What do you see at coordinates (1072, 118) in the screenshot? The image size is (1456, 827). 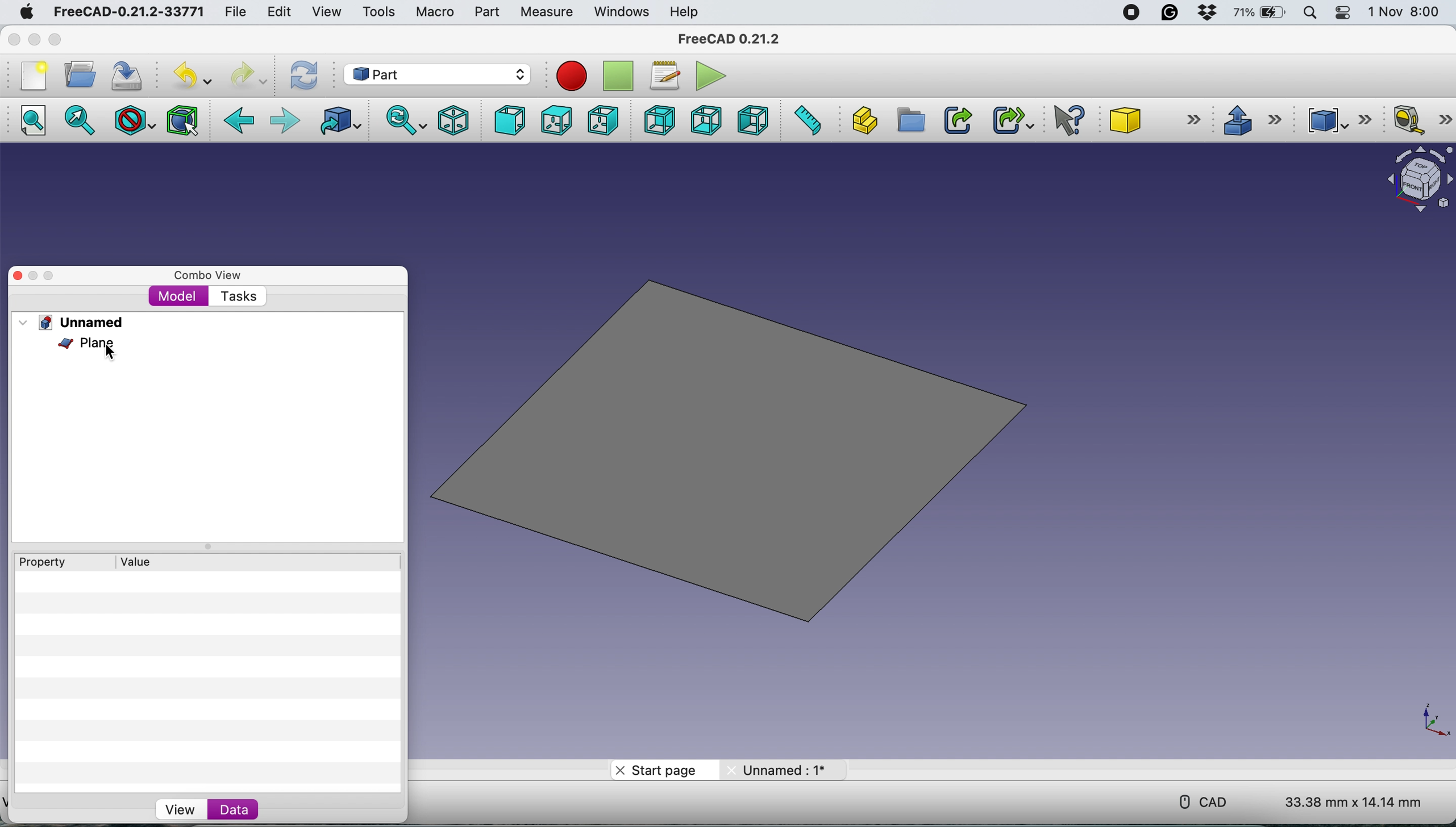 I see `what's this` at bounding box center [1072, 118].